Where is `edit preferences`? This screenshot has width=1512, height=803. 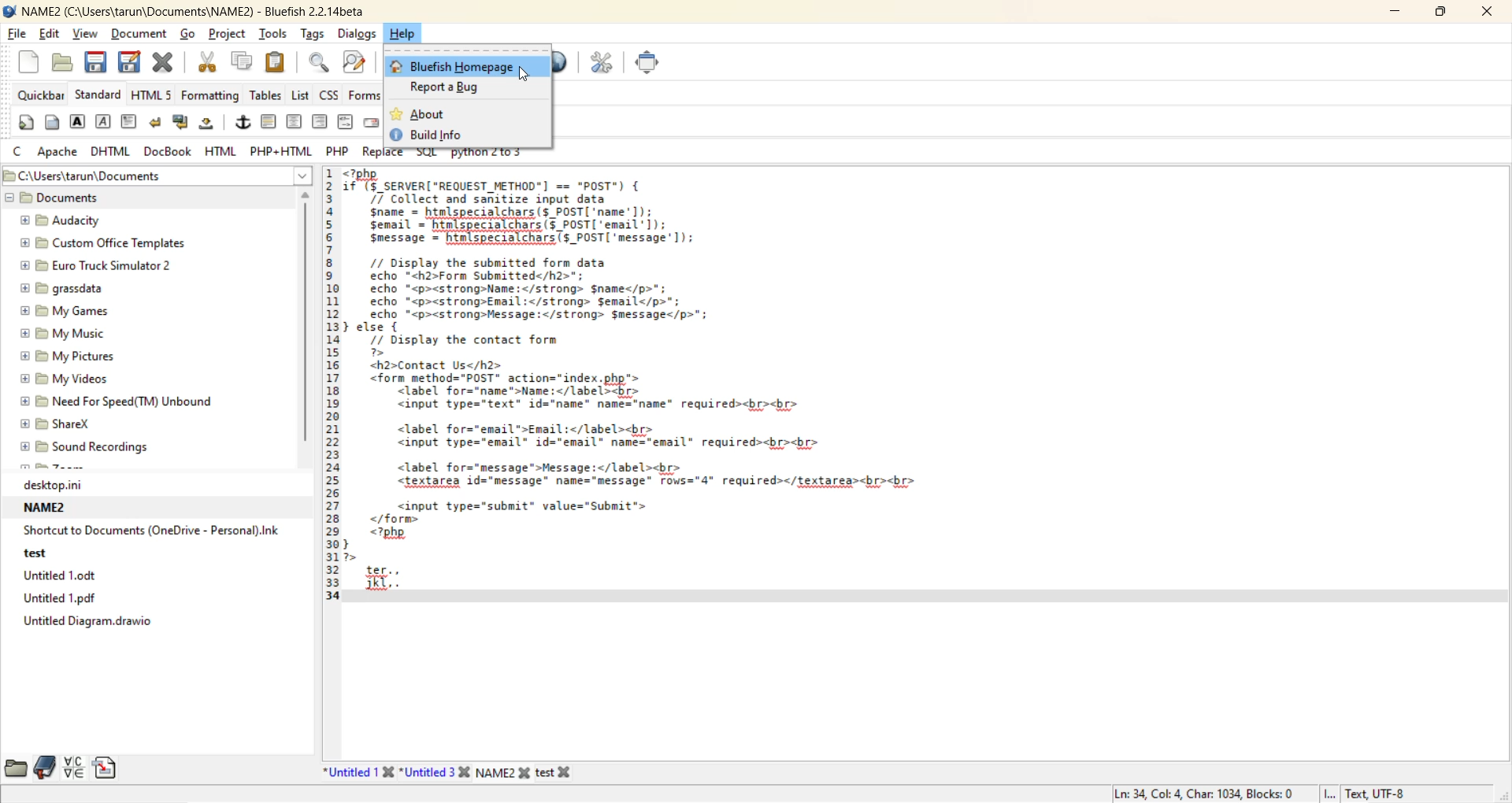 edit preferences is located at coordinates (602, 61).